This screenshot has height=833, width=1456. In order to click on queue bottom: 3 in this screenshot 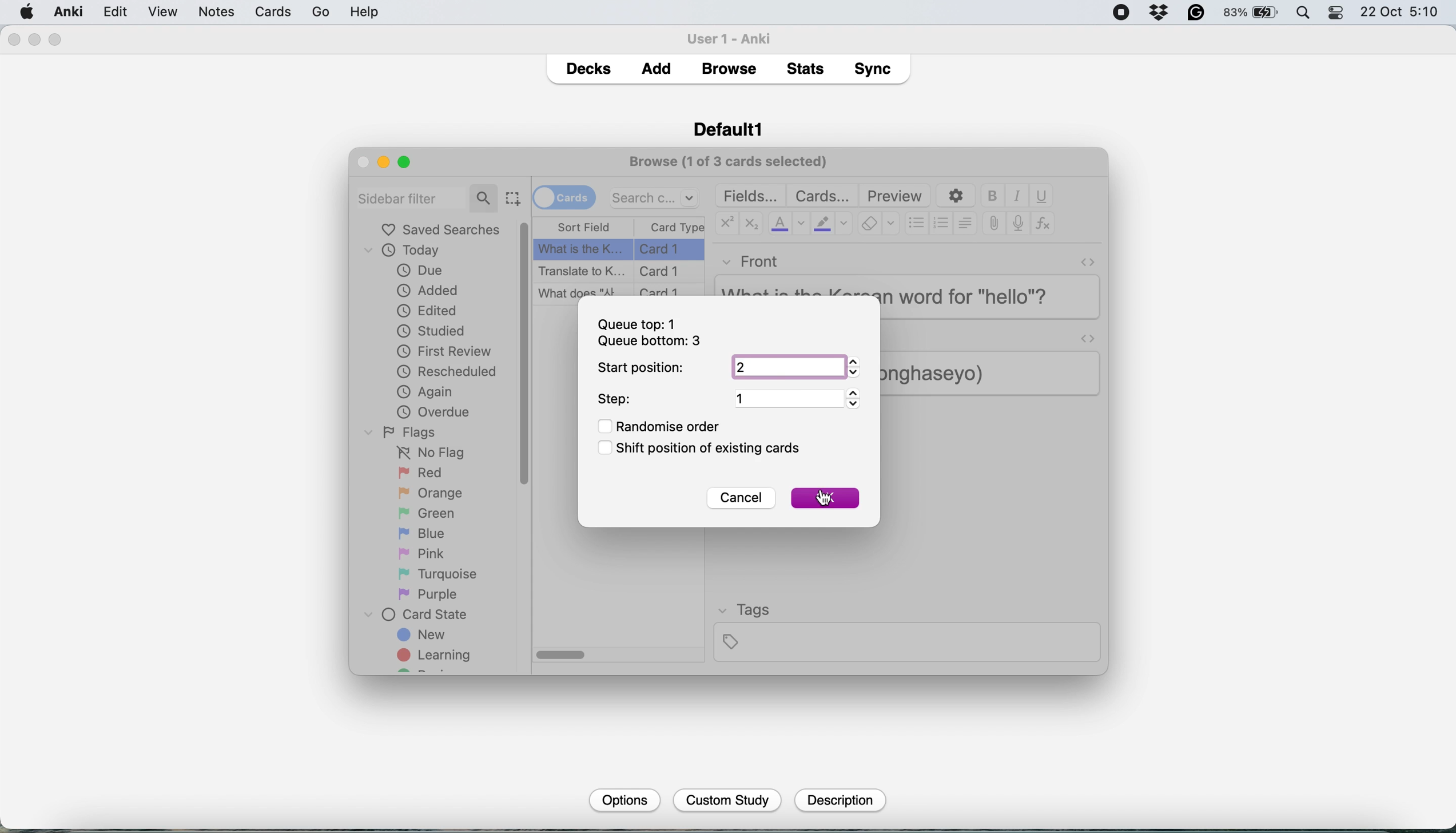, I will do `click(649, 342)`.